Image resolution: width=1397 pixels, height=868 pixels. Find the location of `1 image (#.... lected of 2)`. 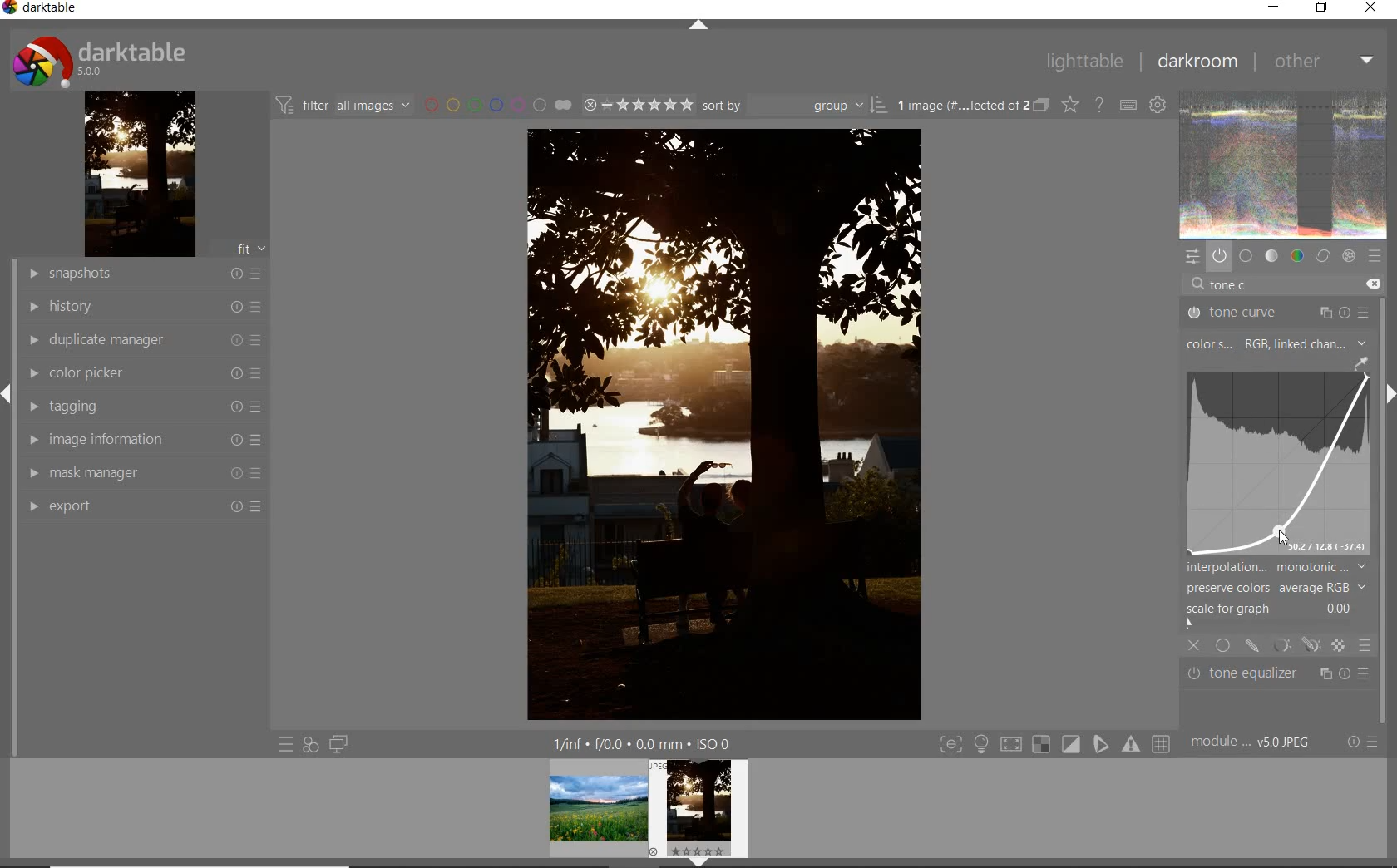

1 image (#.... lected of 2) is located at coordinates (1253, 742).